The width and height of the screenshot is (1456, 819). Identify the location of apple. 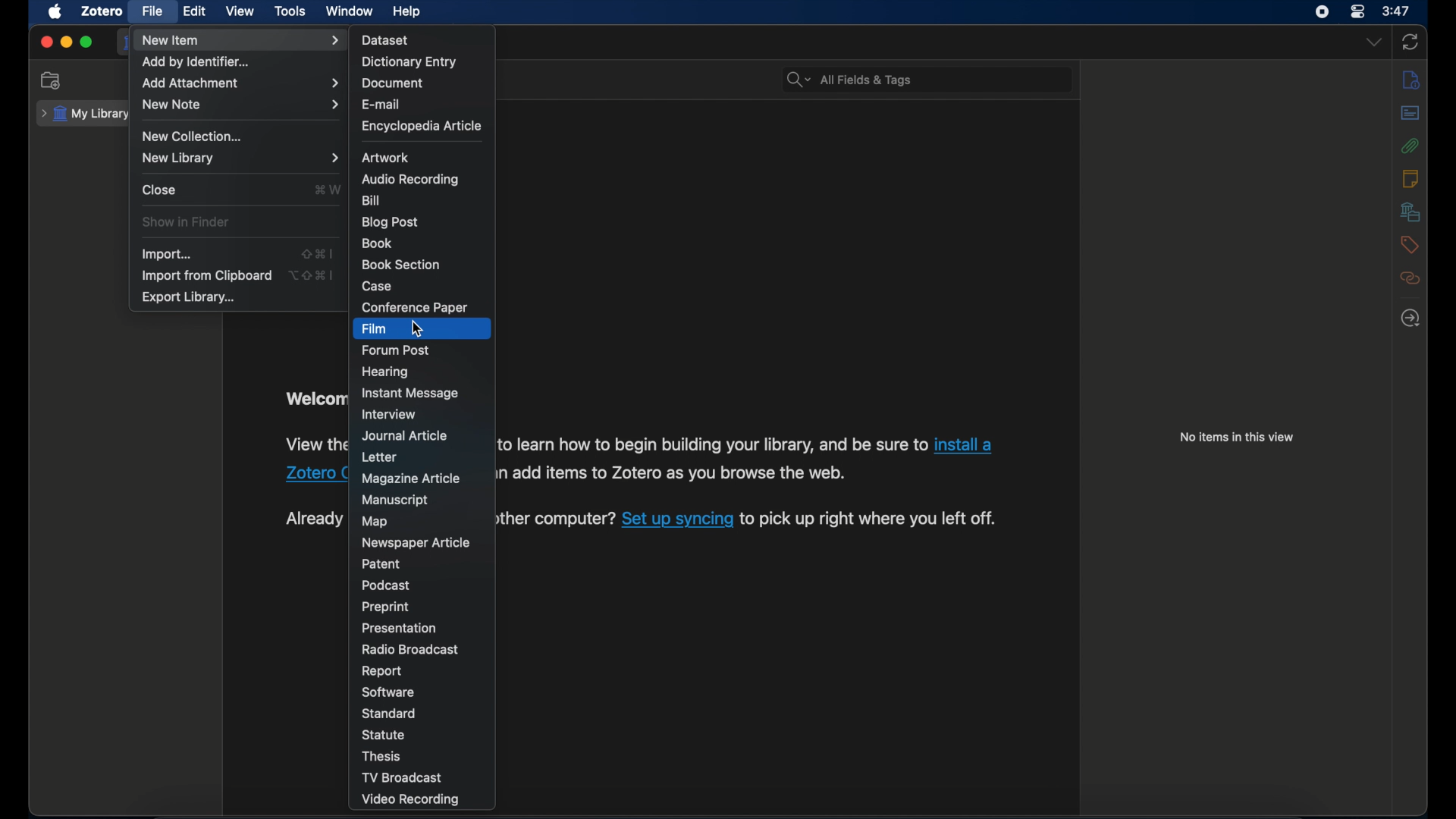
(55, 12).